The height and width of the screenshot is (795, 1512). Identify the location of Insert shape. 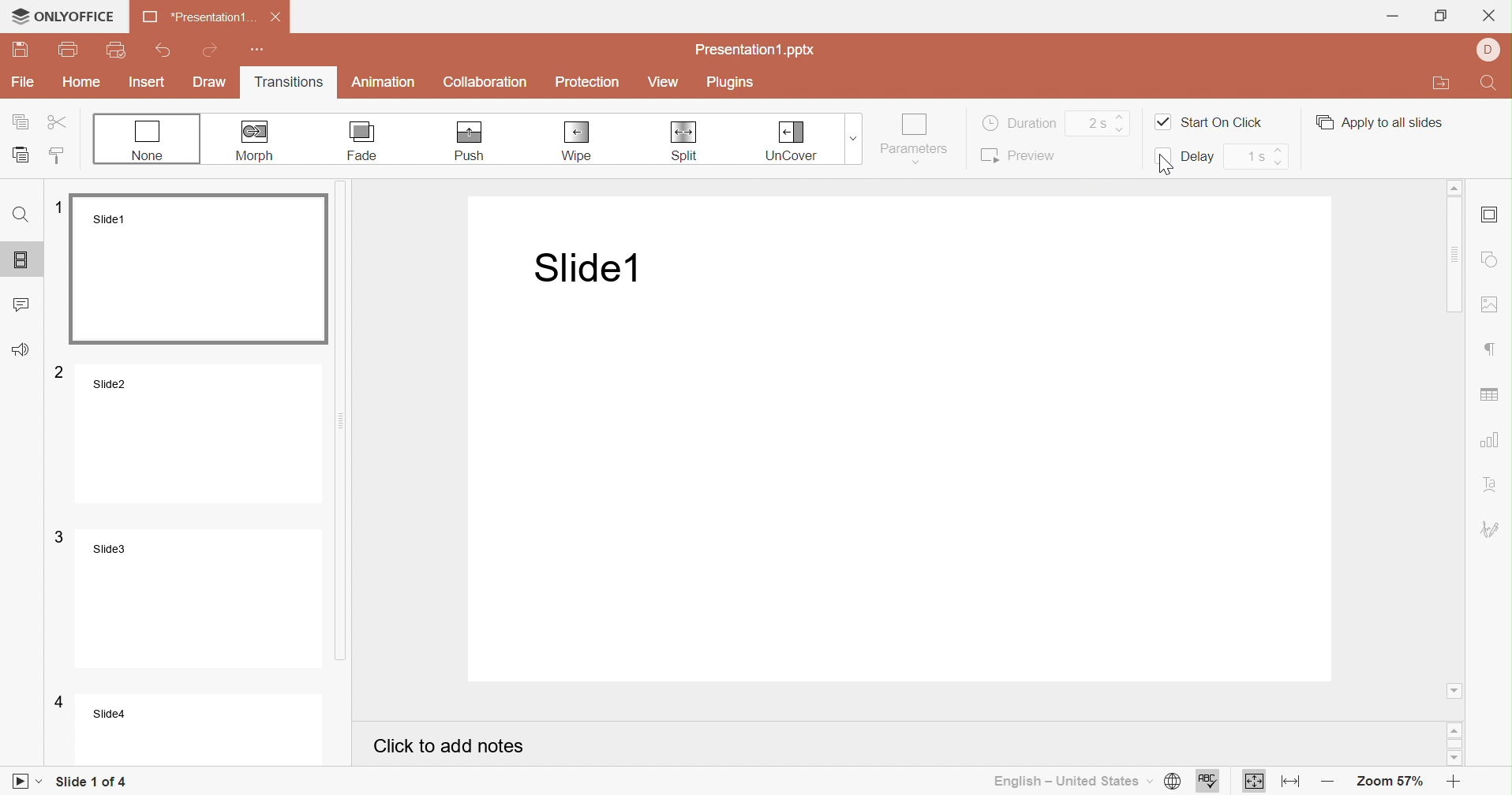
(1491, 259).